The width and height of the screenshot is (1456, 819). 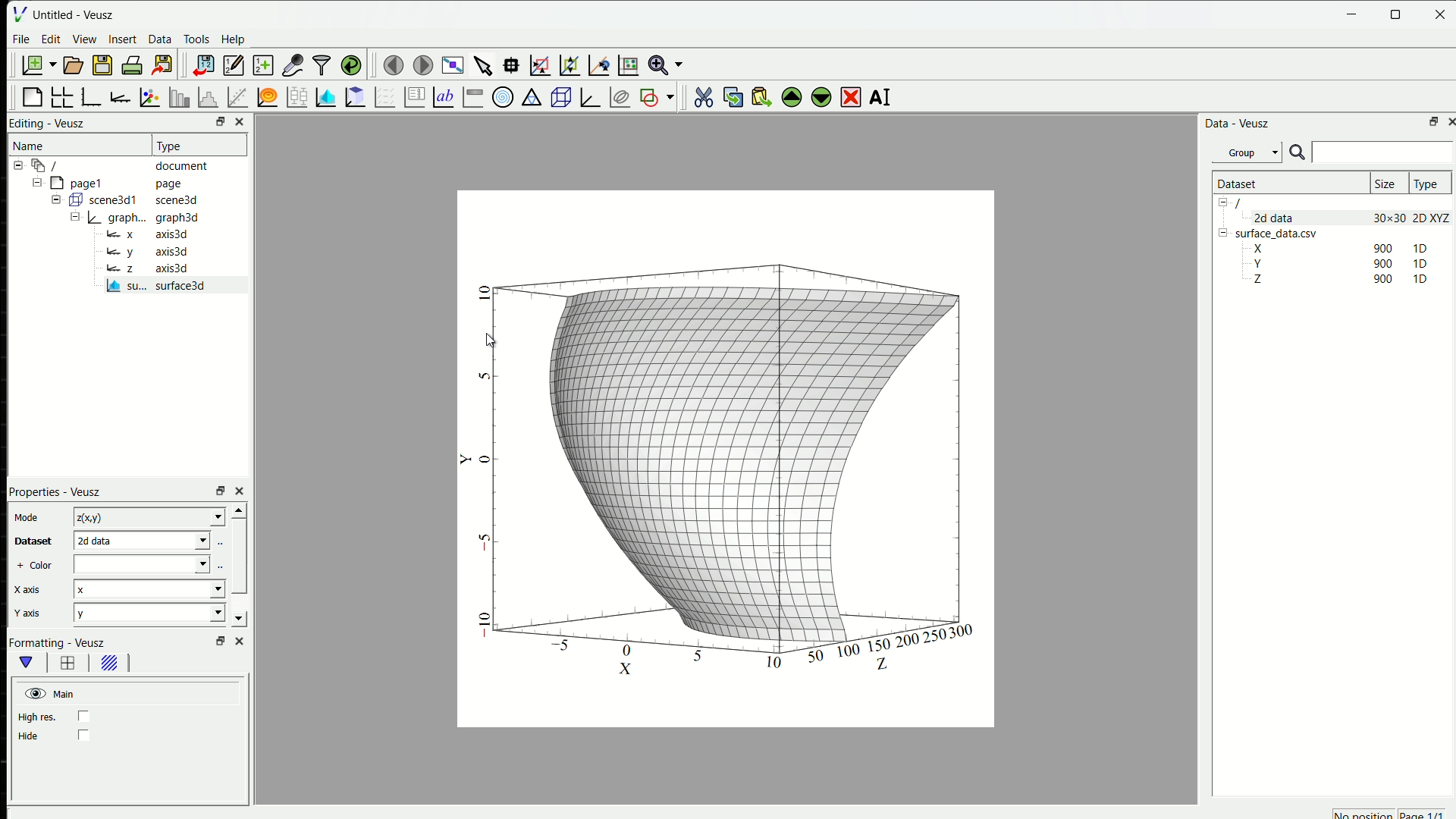 I want to click on export to graphics formats, so click(x=163, y=64).